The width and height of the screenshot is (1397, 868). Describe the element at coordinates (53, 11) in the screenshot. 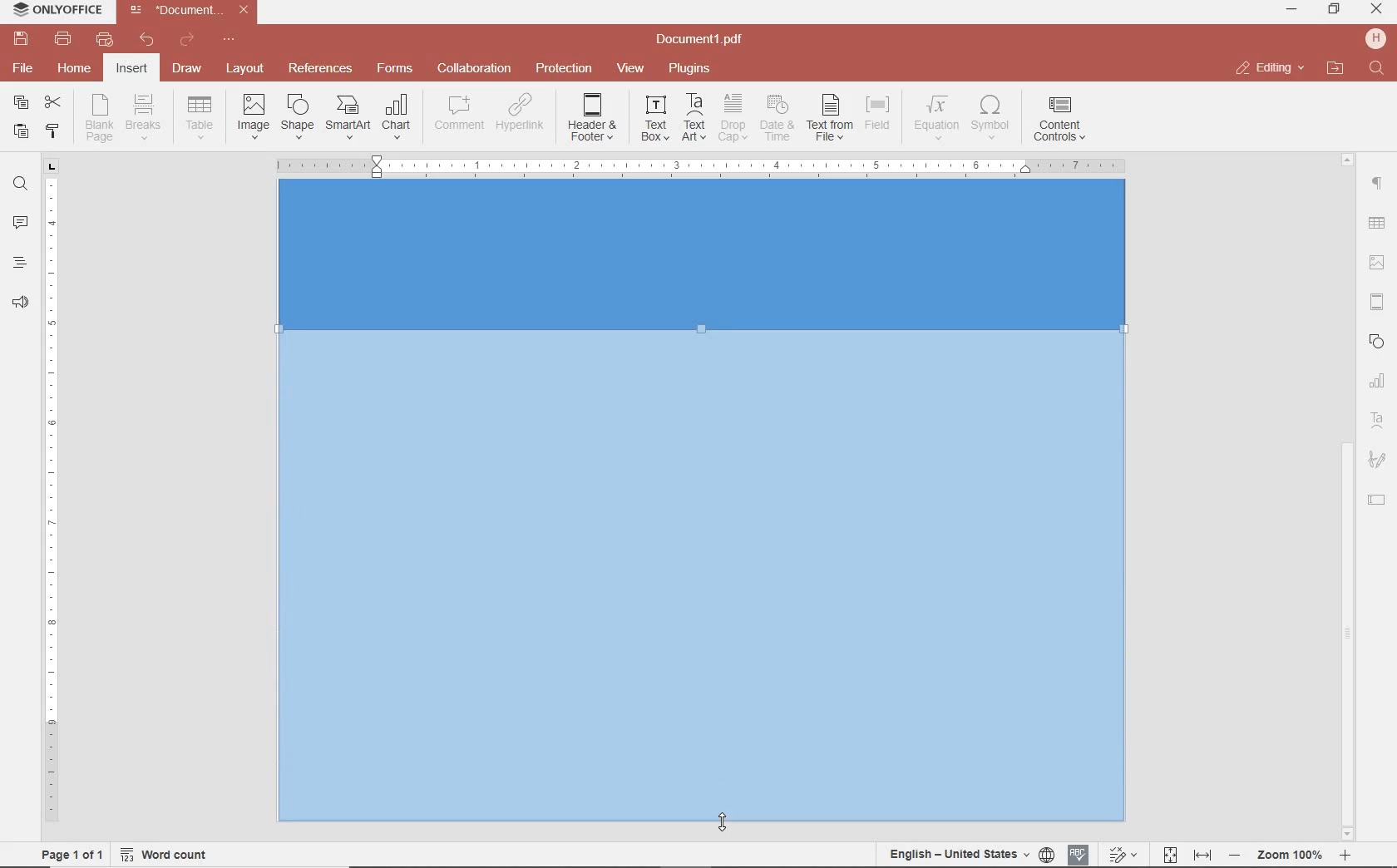

I see `system name` at that location.